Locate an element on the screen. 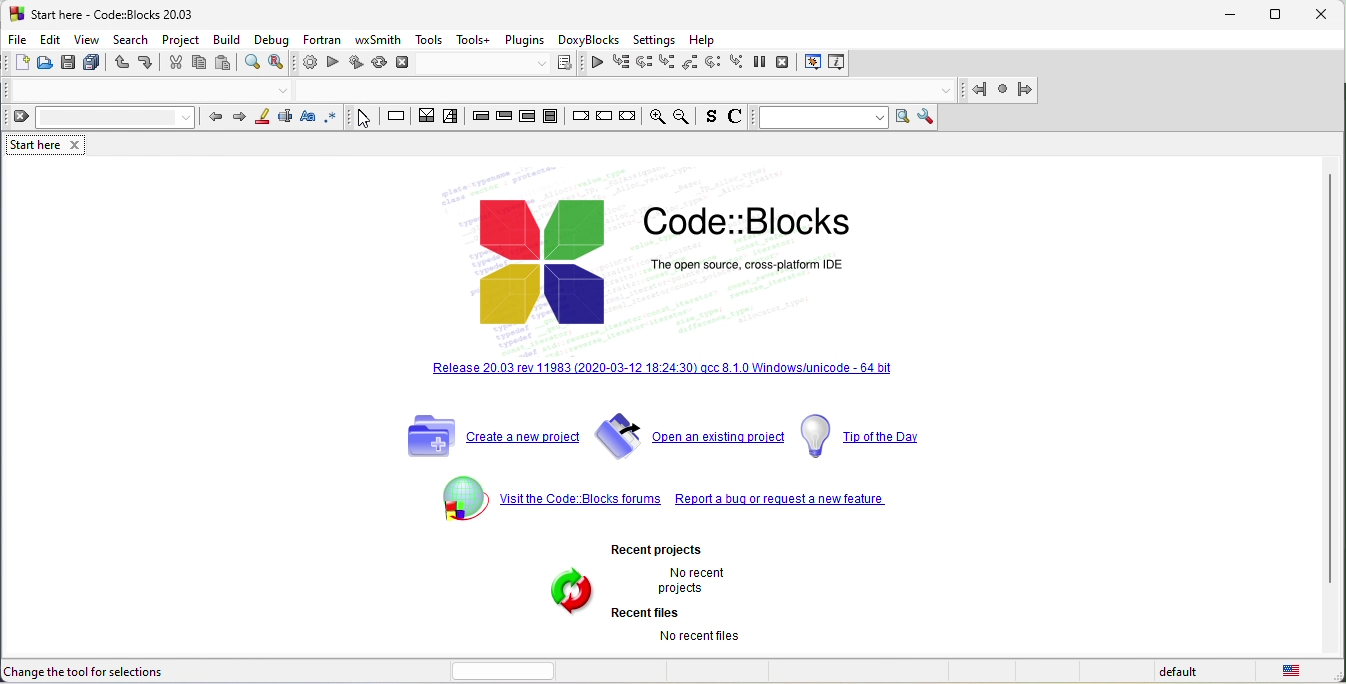  united state is located at coordinates (1290, 673).